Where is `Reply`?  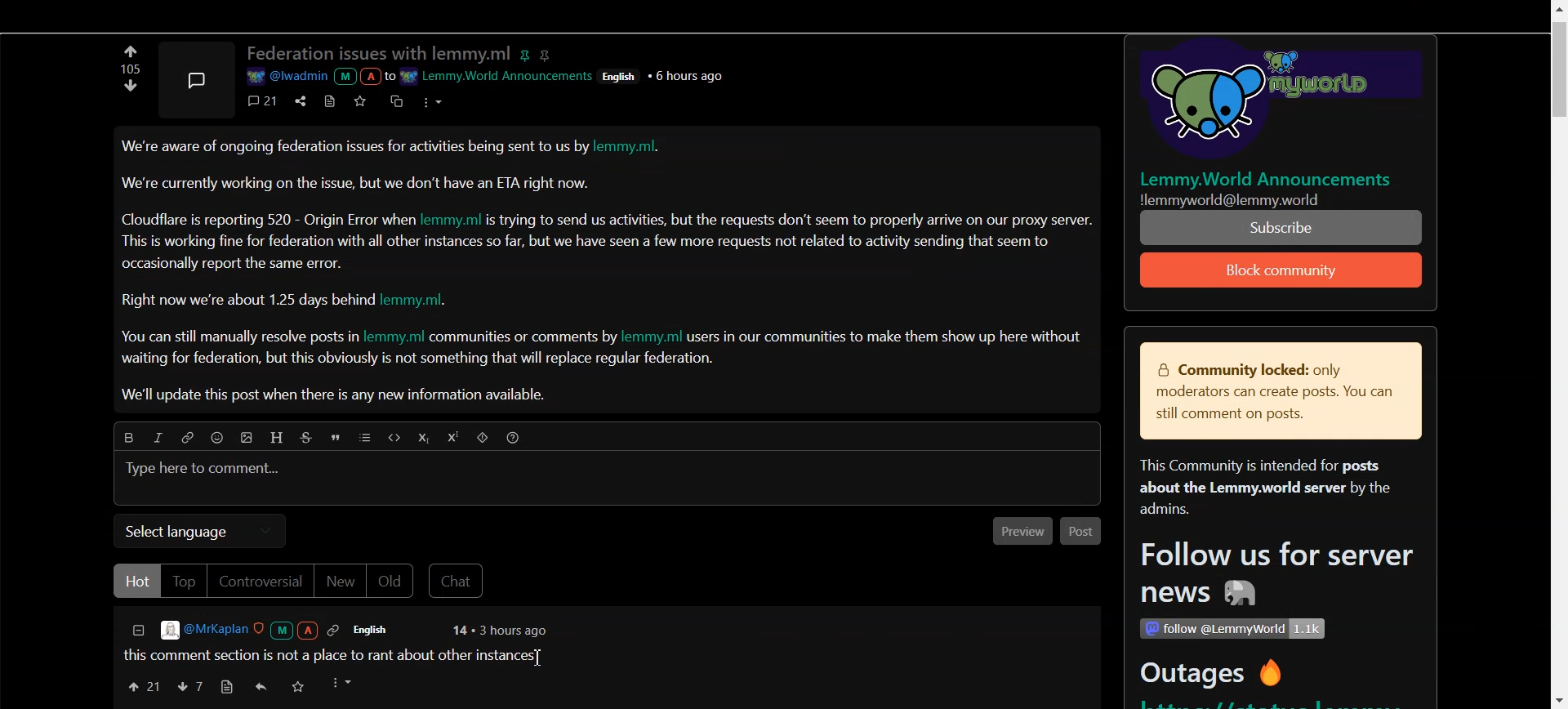 Reply is located at coordinates (262, 687).